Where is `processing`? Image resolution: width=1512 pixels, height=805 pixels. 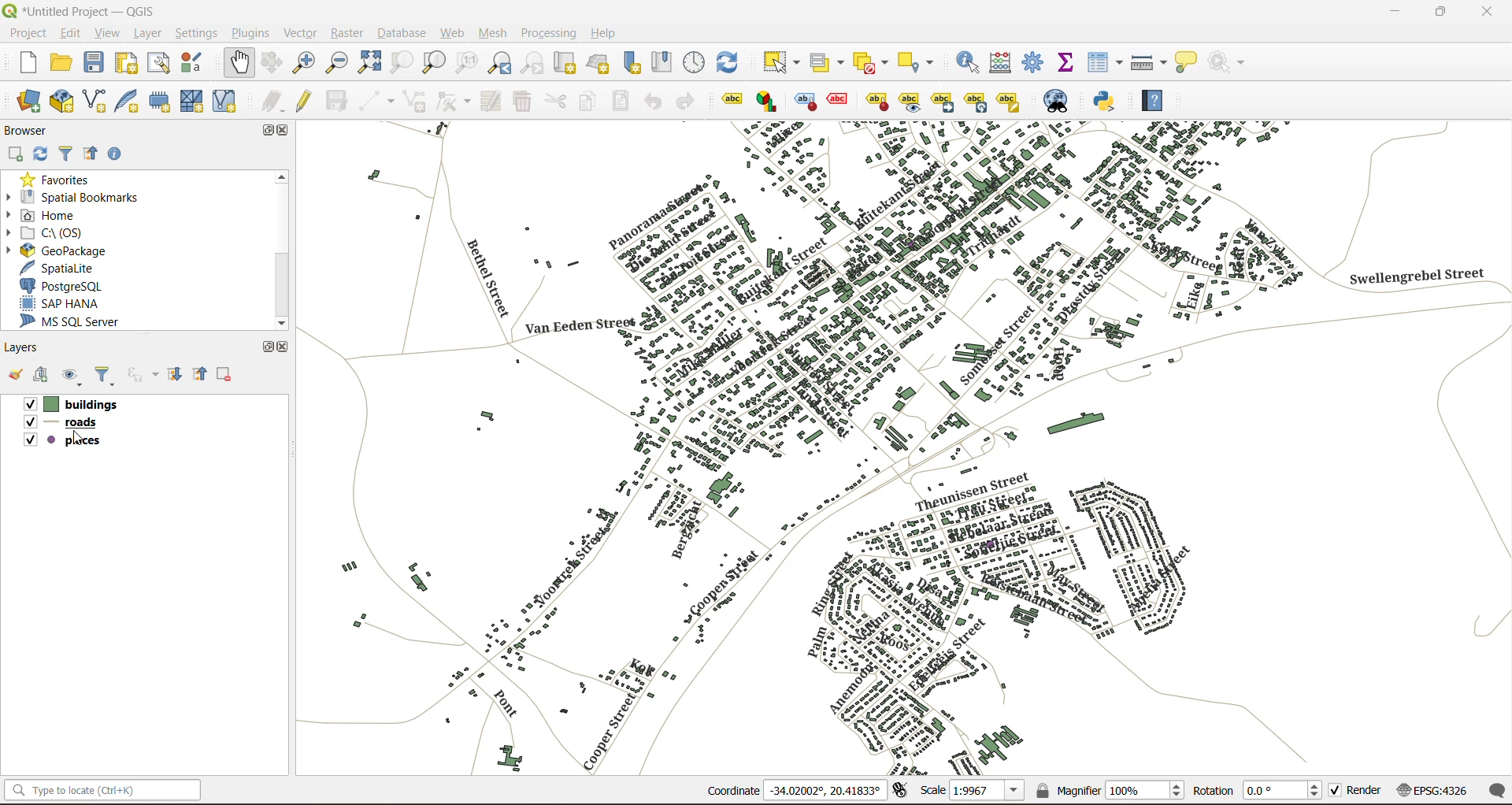
processing is located at coordinates (551, 33).